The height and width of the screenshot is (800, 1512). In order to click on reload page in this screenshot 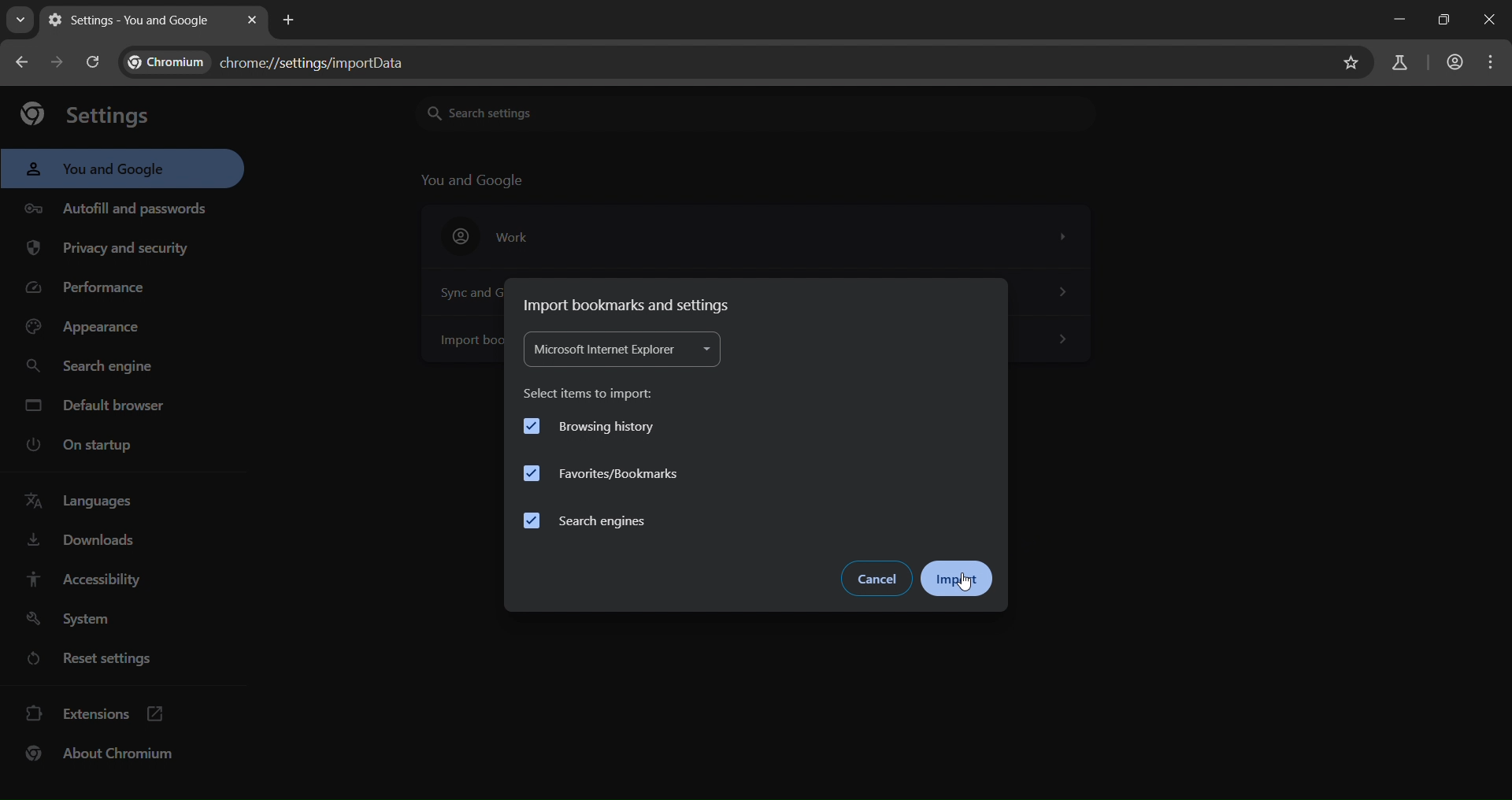, I will do `click(94, 60)`.